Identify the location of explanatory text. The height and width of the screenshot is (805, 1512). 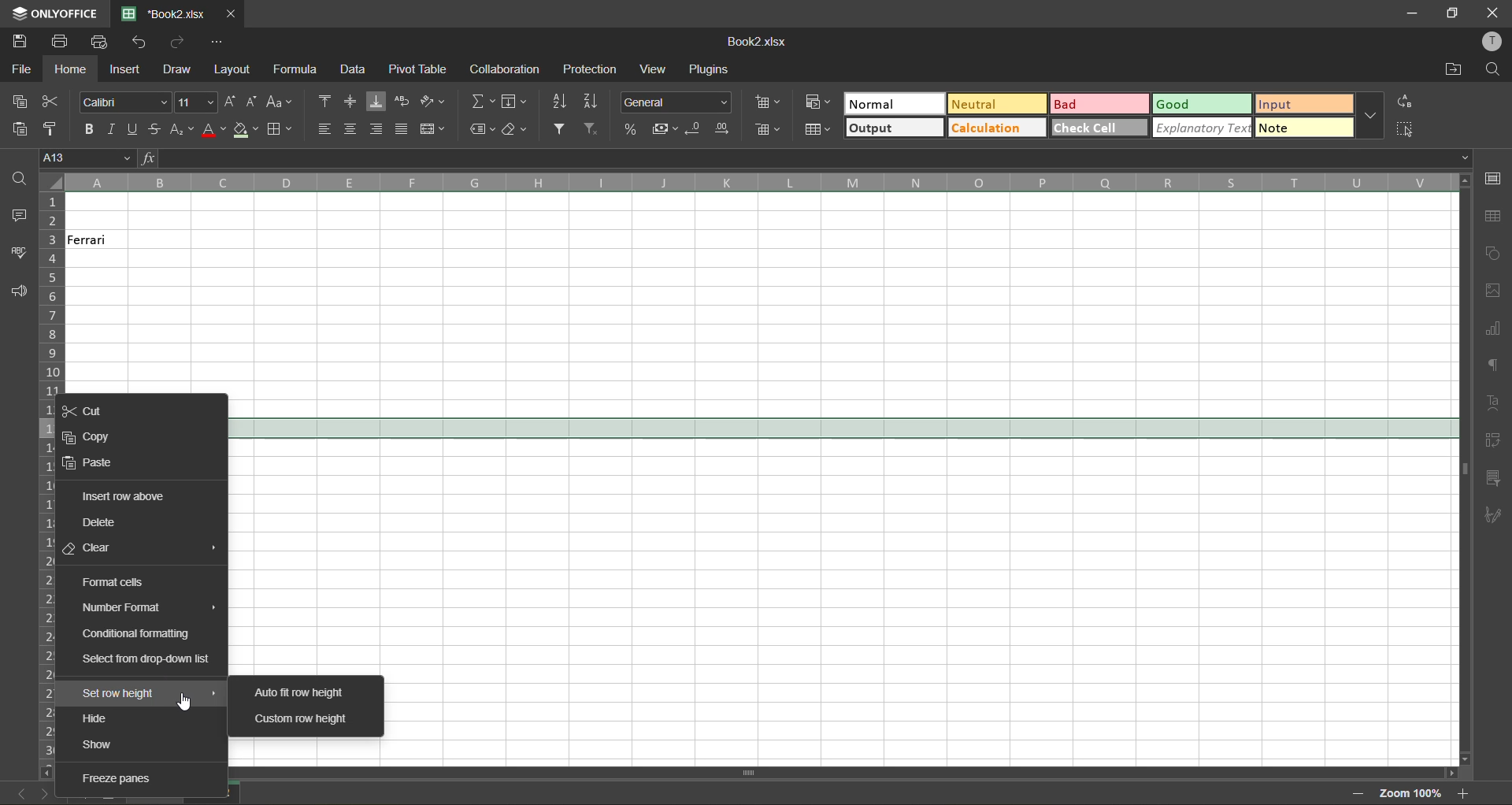
(1204, 127).